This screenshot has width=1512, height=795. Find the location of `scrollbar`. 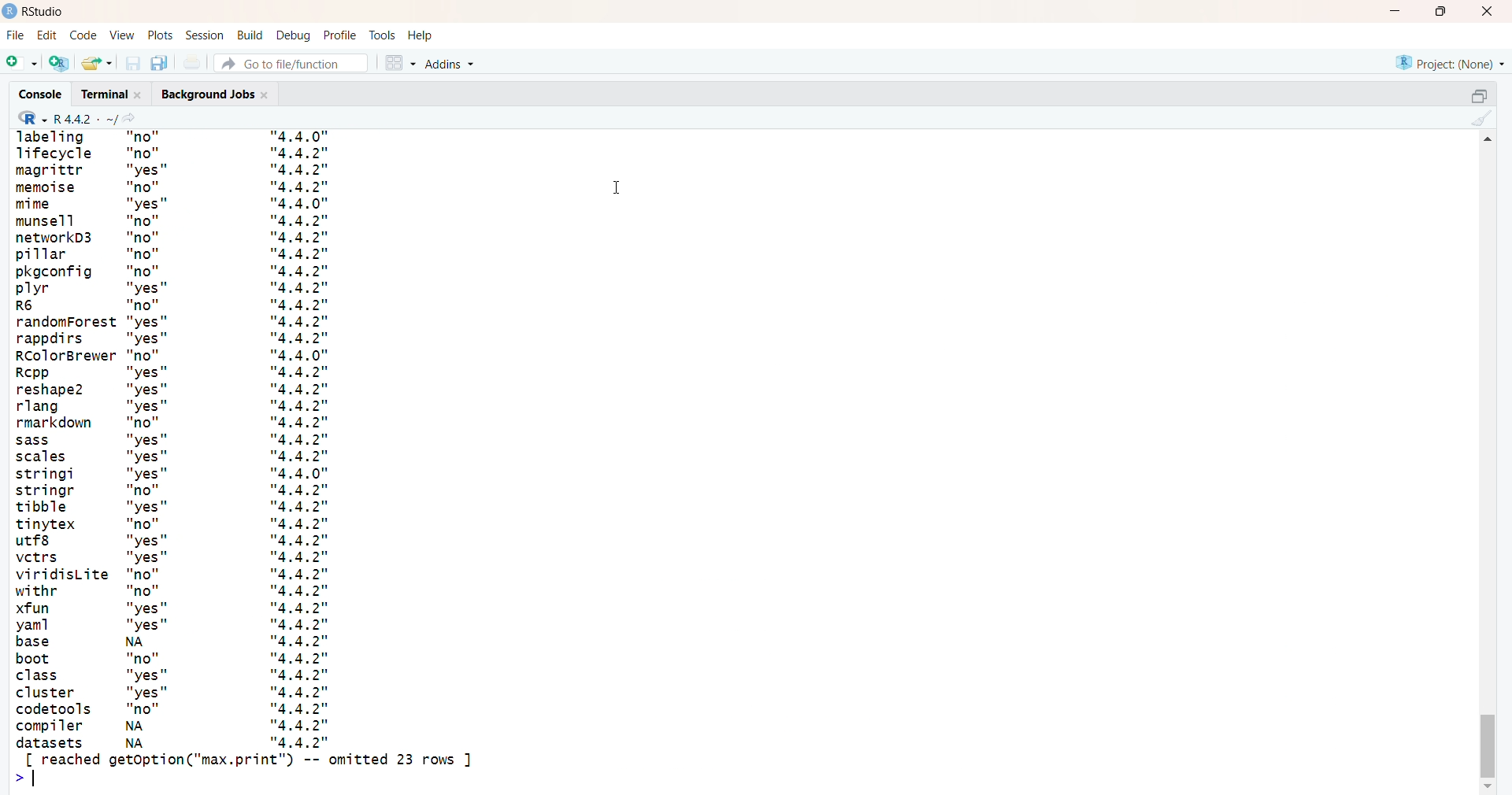

scrollbar is located at coordinates (1490, 465).